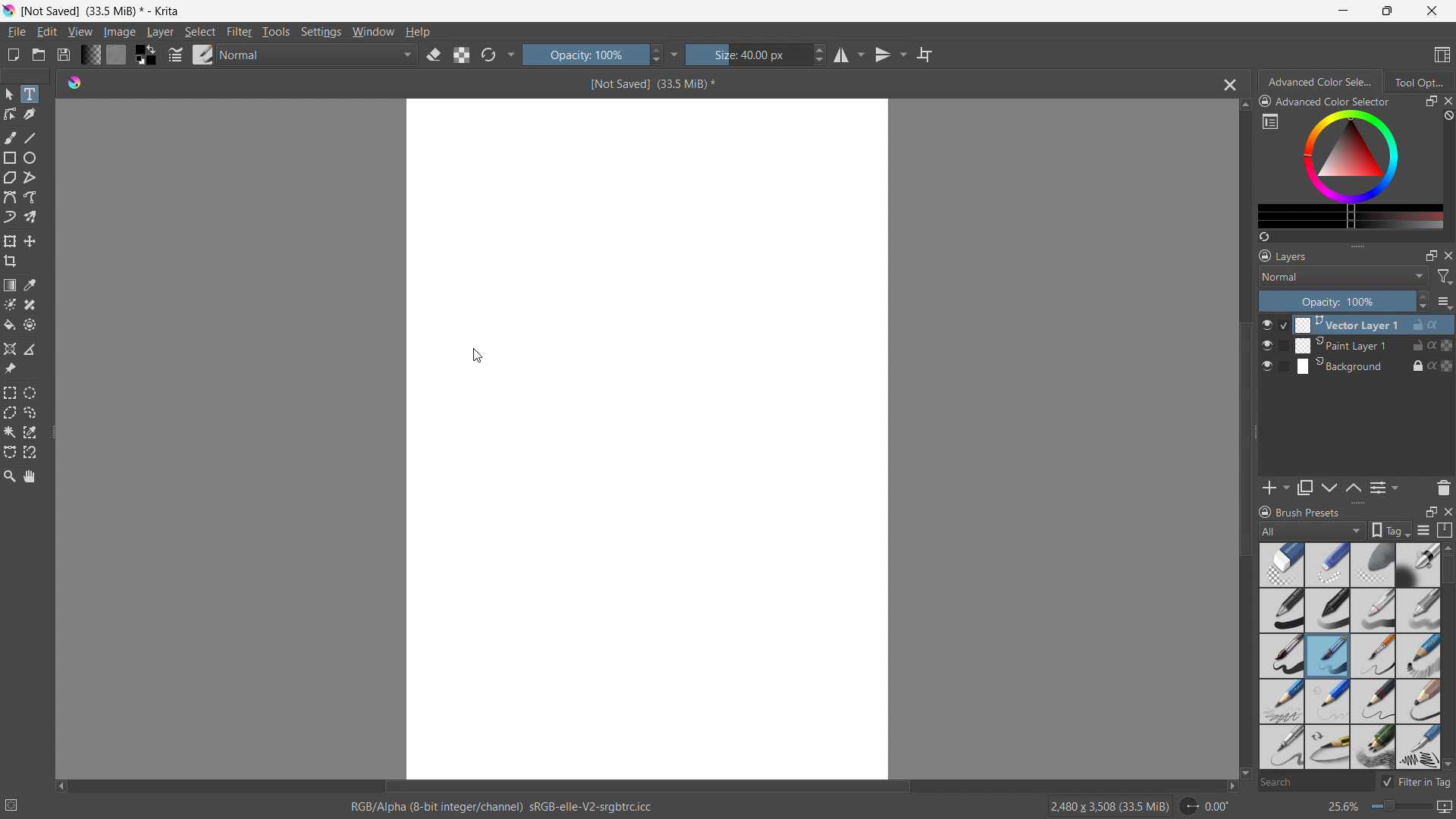 This screenshot has height=819, width=1456. I want to click on pen, so click(1328, 610).